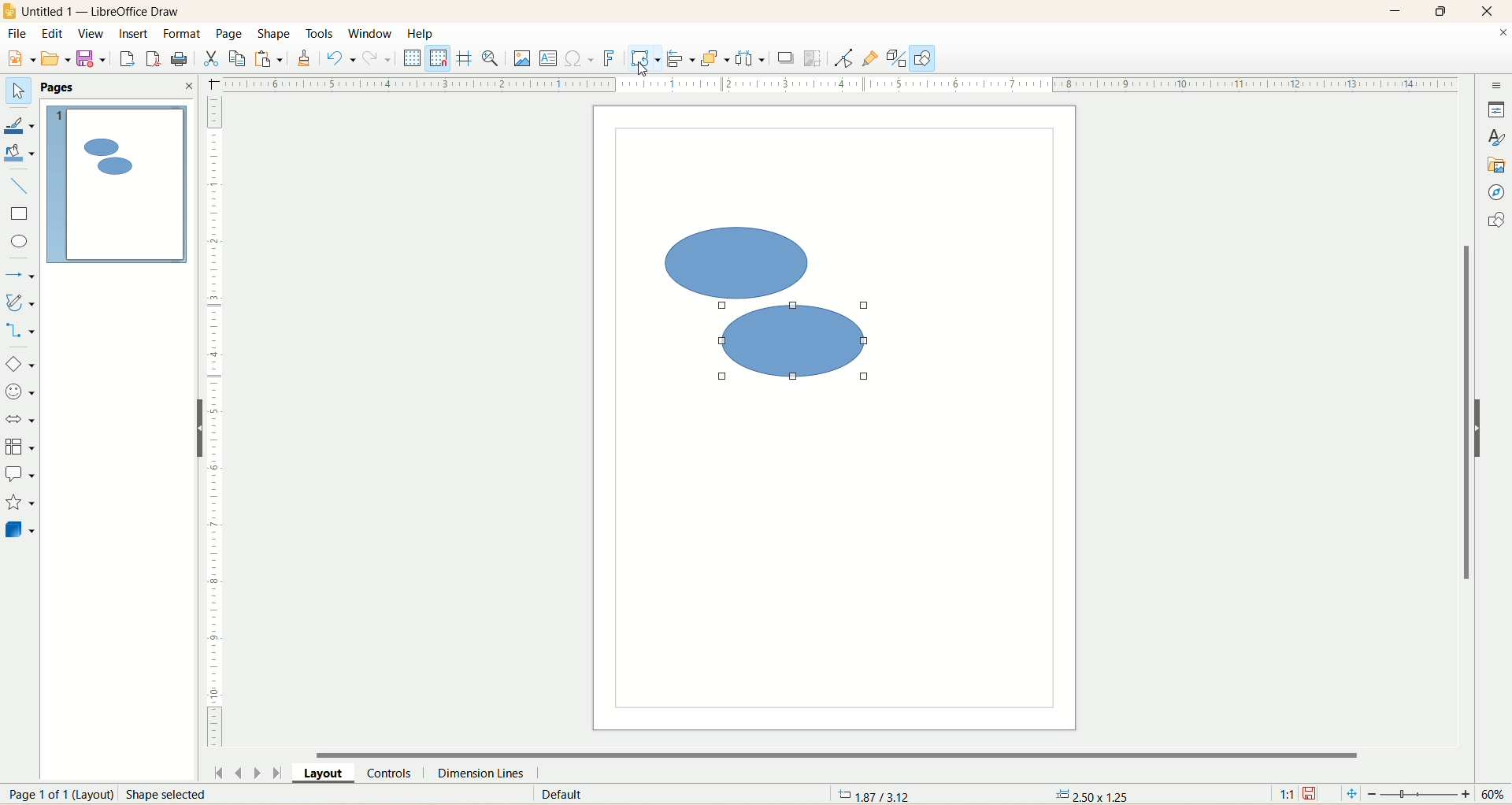 The height and width of the screenshot is (805, 1512). I want to click on last page, so click(282, 773).